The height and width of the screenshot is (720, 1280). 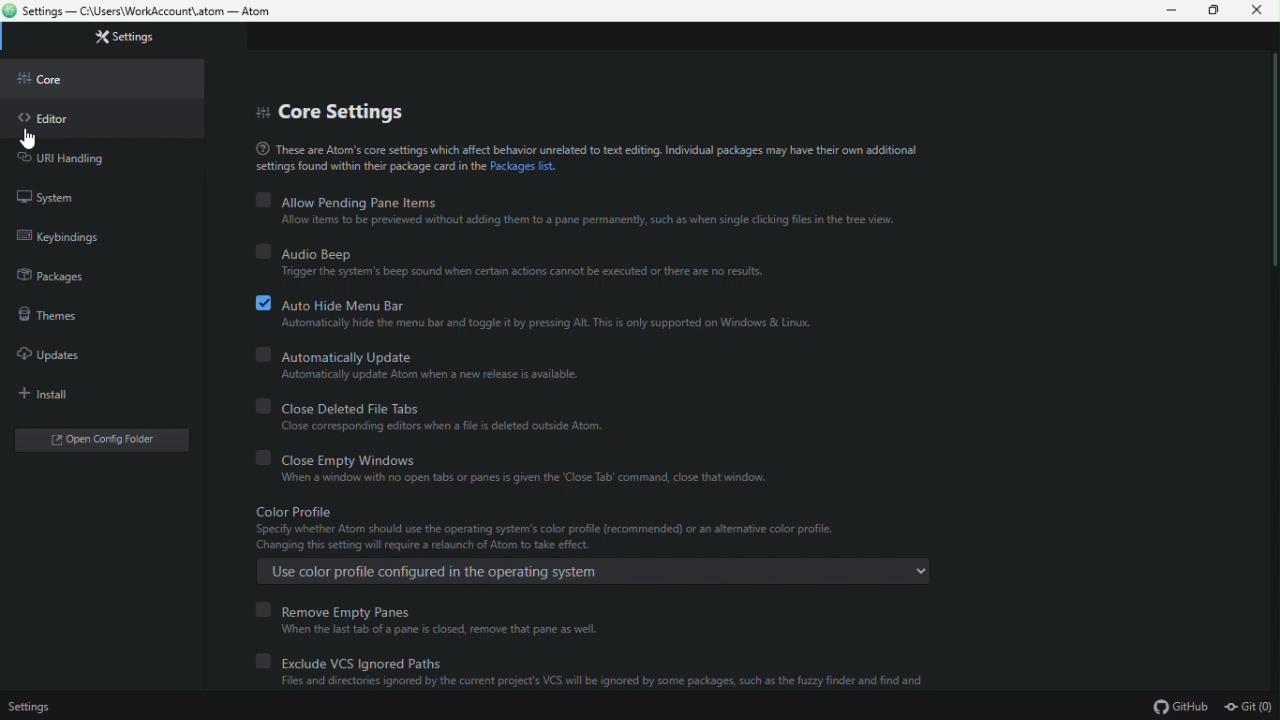 I want to click on updates, so click(x=59, y=356).